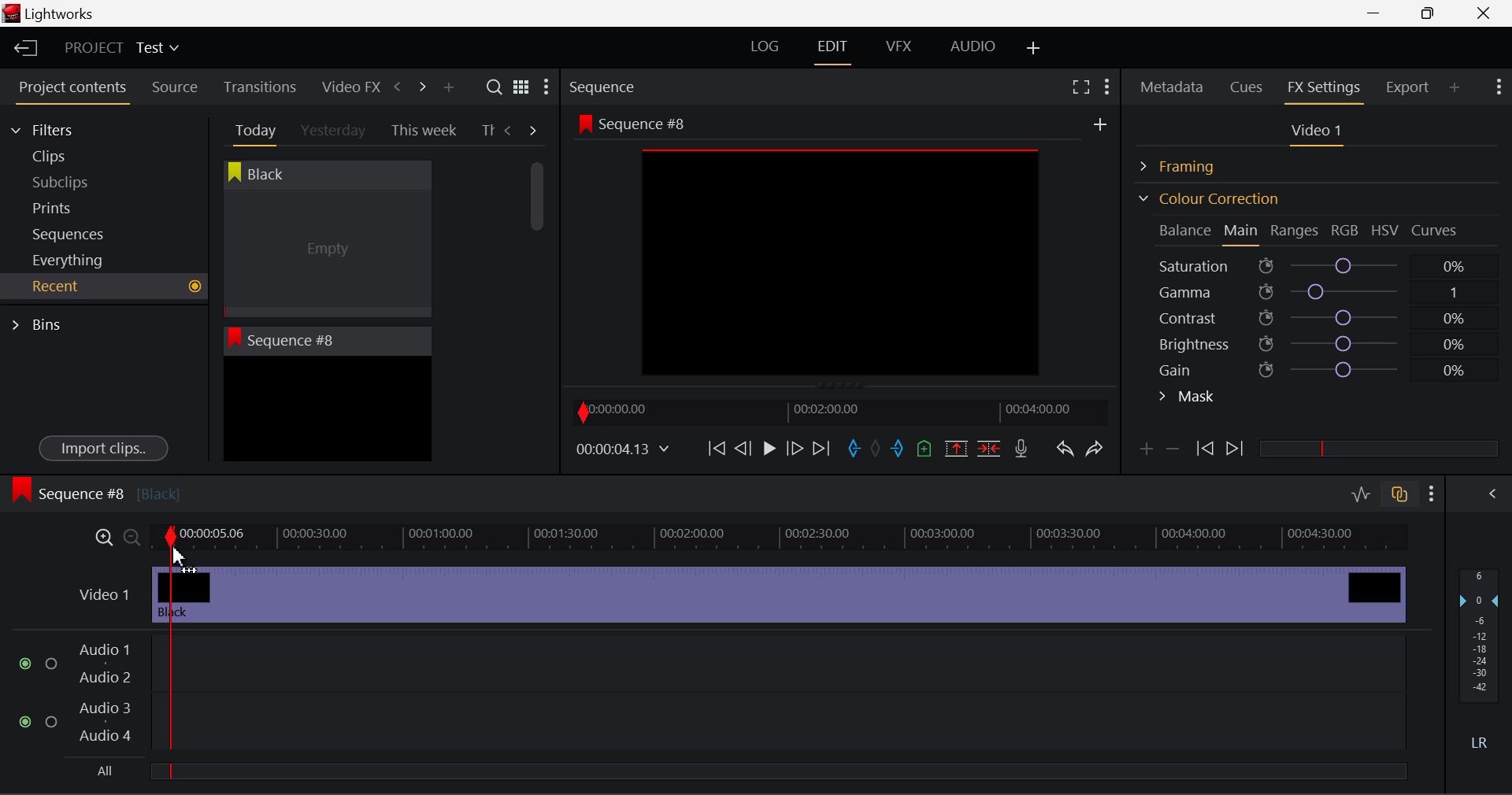 Image resolution: width=1512 pixels, height=795 pixels. What do you see at coordinates (835, 50) in the screenshot?
I see `EDIT Layout` at bounding box center [835, 50].